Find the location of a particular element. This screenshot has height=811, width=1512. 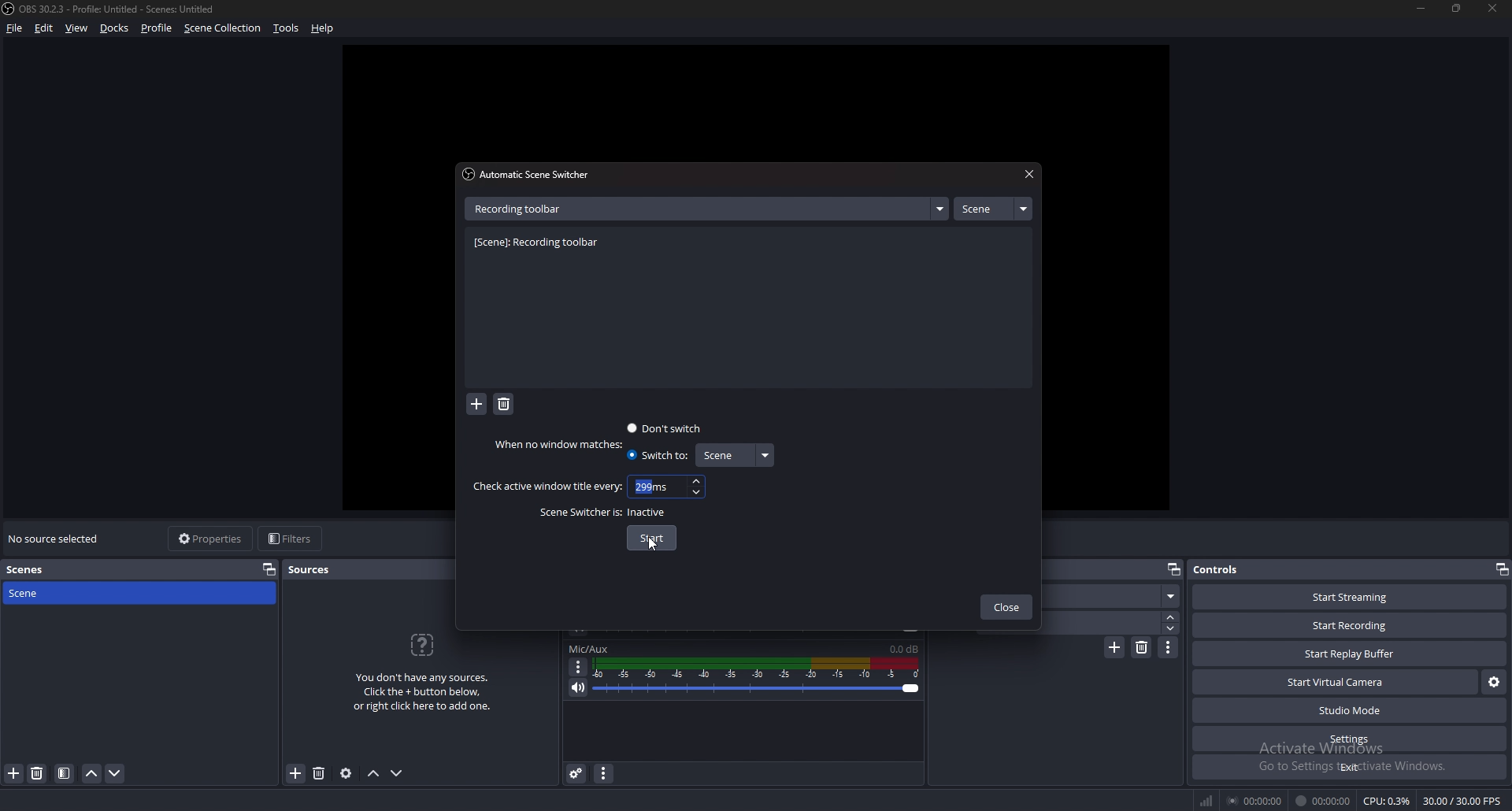

scenes is located at coordinates (39, 570).